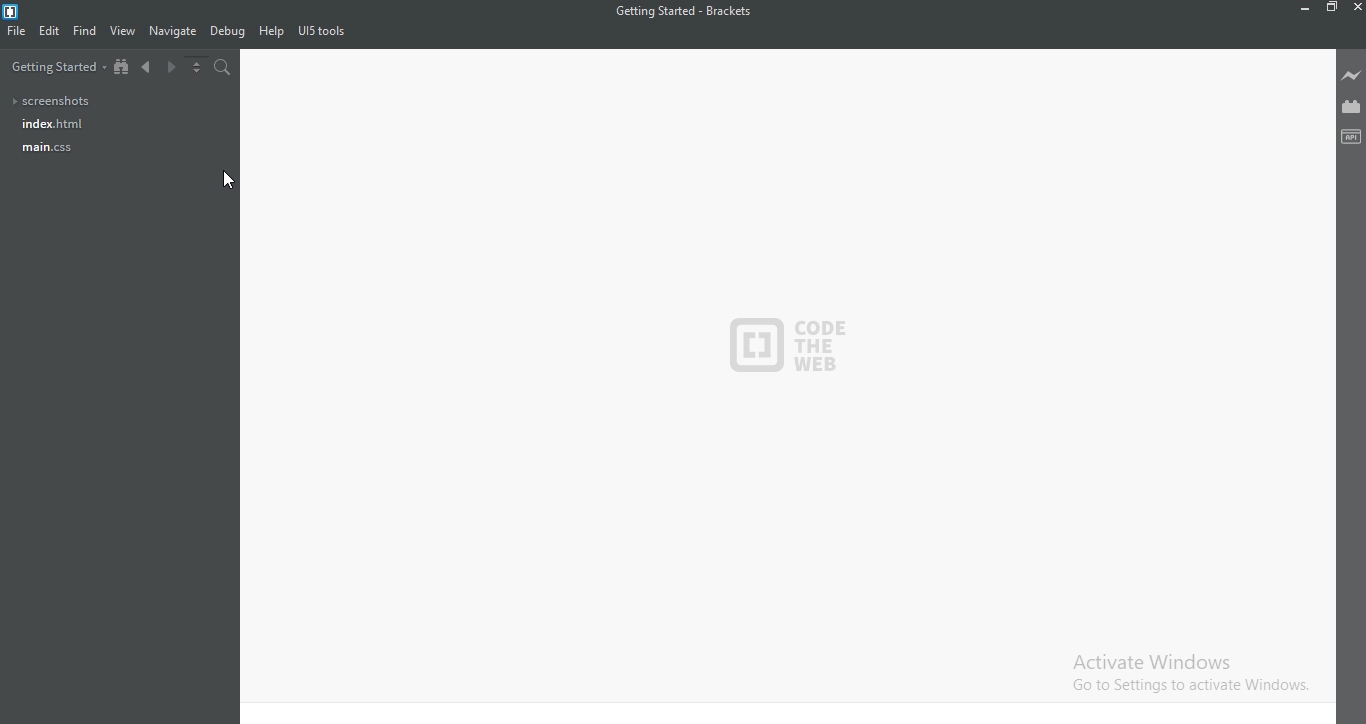 This screenshot has height=724, width=1366. What do you see at coordinates (1351, 135) in the screenshot?
I see `toolbox` at bounding box center [1351, 135].